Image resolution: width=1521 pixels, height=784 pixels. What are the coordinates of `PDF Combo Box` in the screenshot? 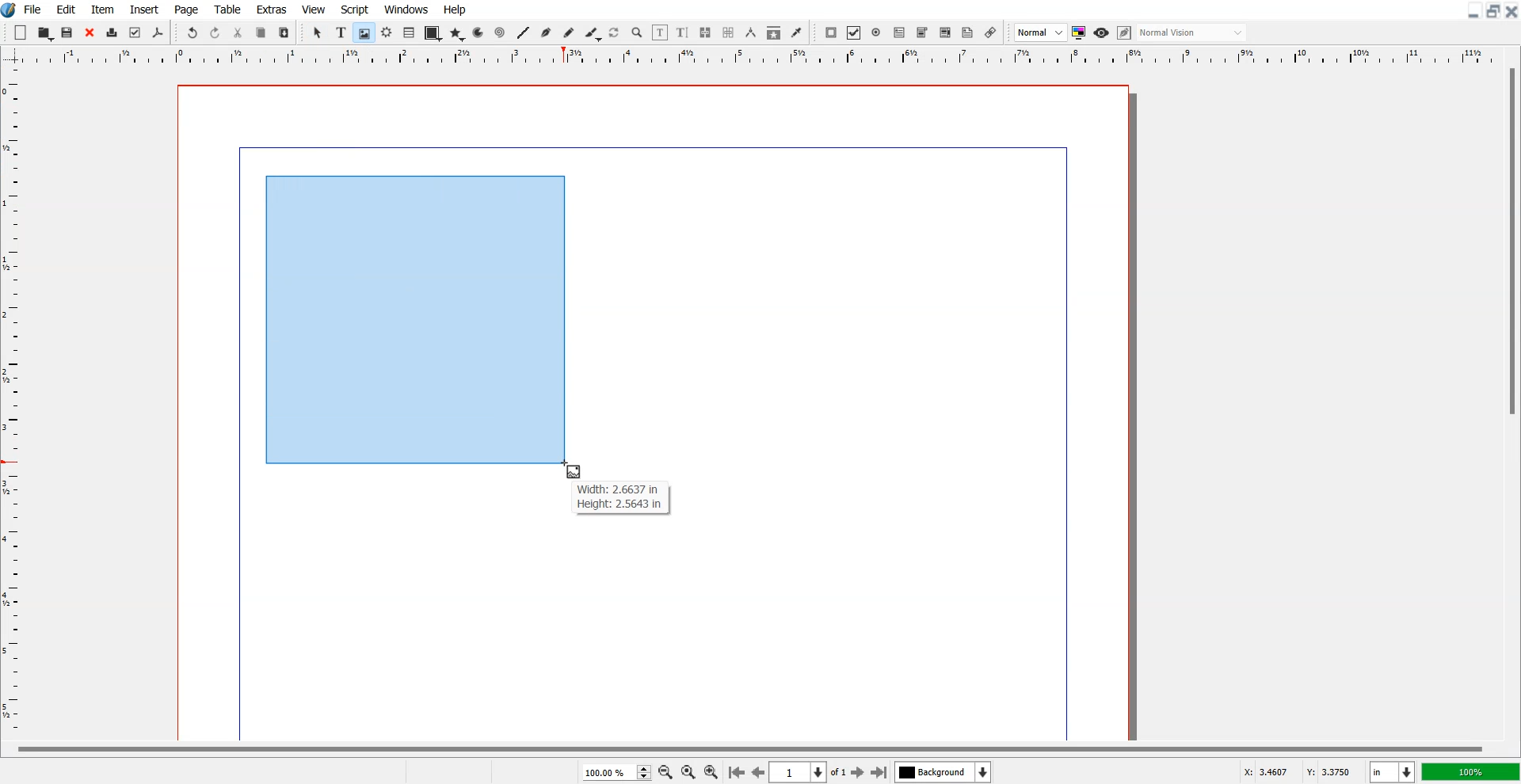 It's located at (922, 33).